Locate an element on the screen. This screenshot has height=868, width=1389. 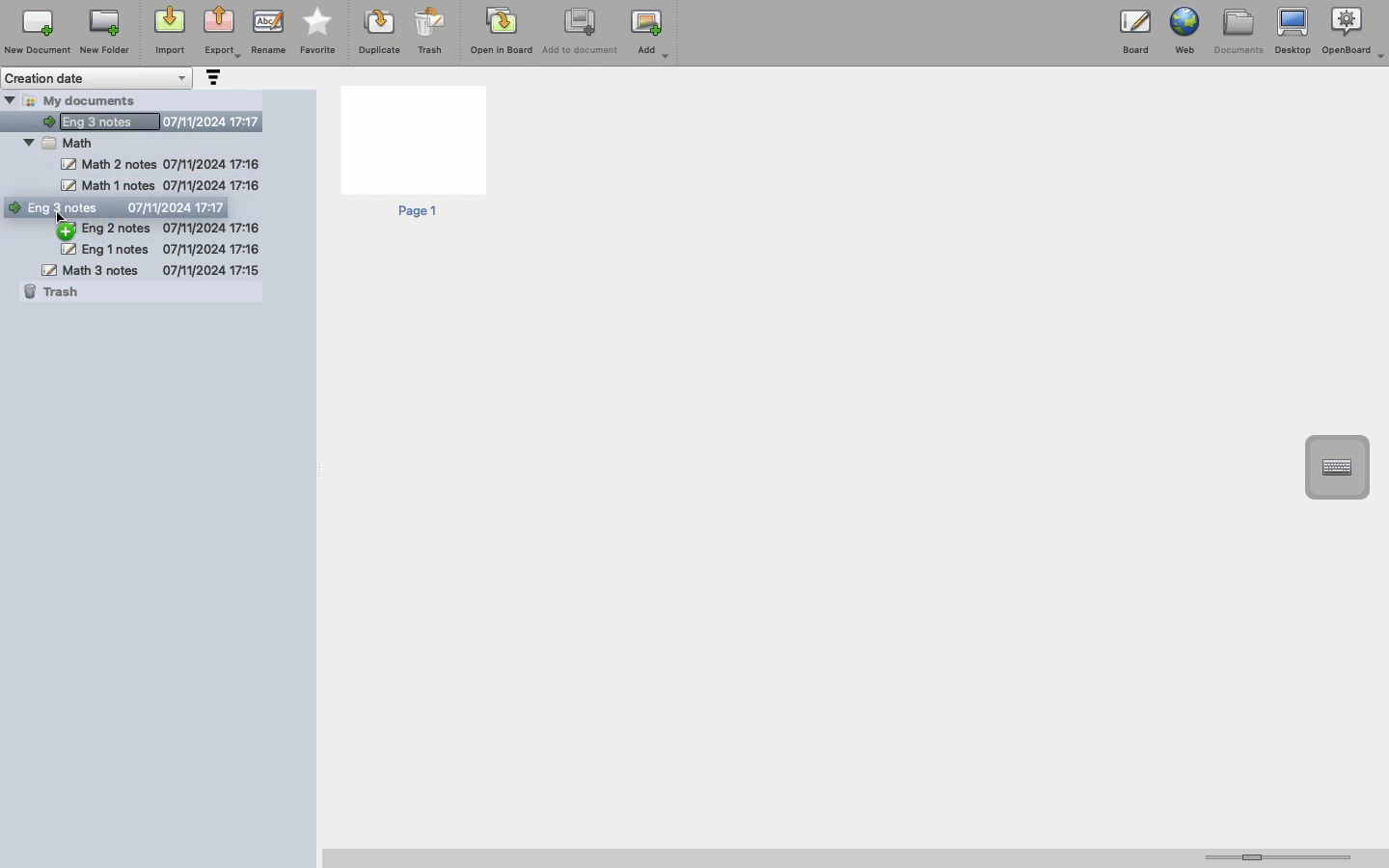
Eng 3 notes is located at coordinates (150, 119).